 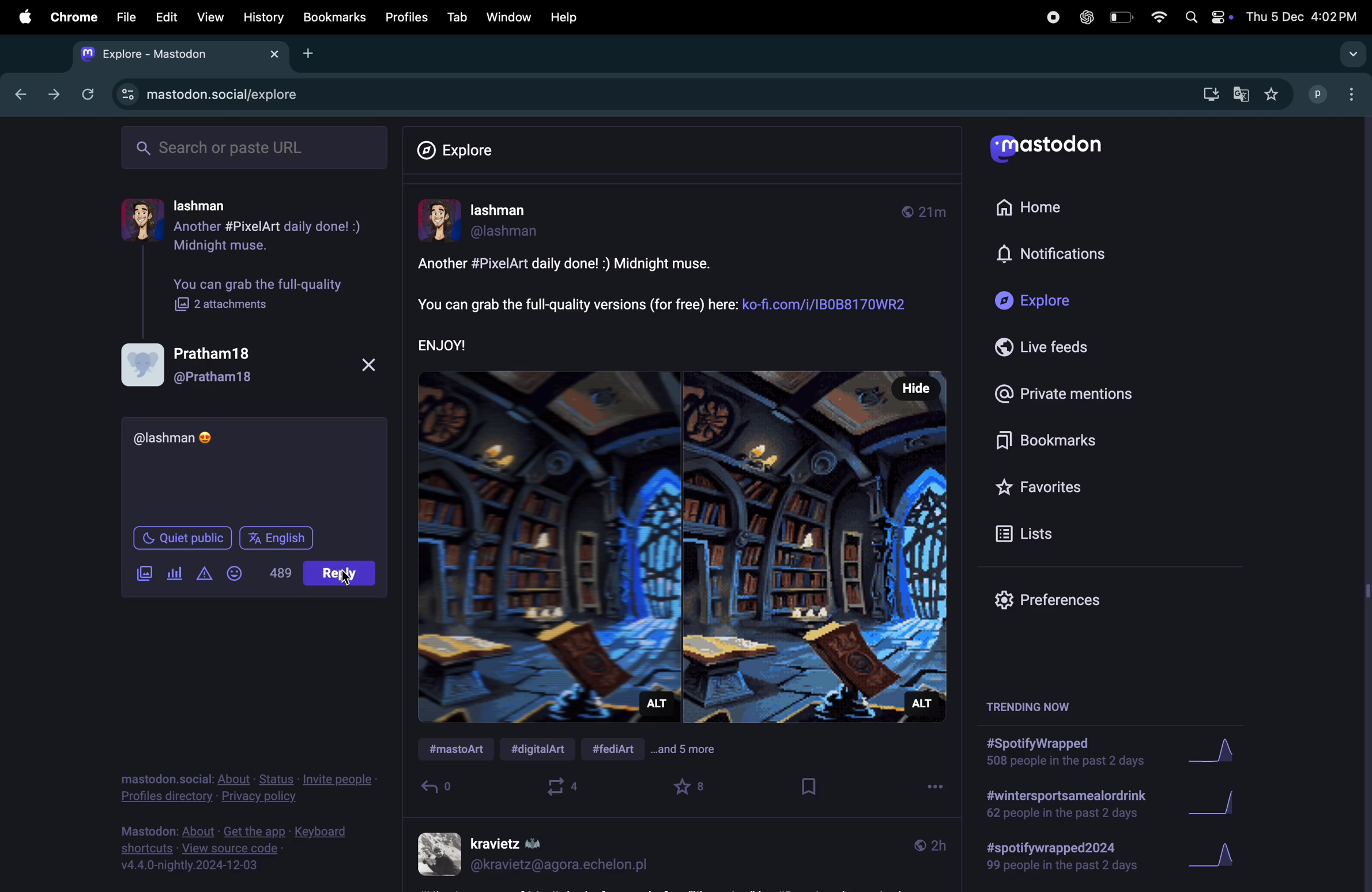 I want to click on # fed art, so click(x=620, y=747).